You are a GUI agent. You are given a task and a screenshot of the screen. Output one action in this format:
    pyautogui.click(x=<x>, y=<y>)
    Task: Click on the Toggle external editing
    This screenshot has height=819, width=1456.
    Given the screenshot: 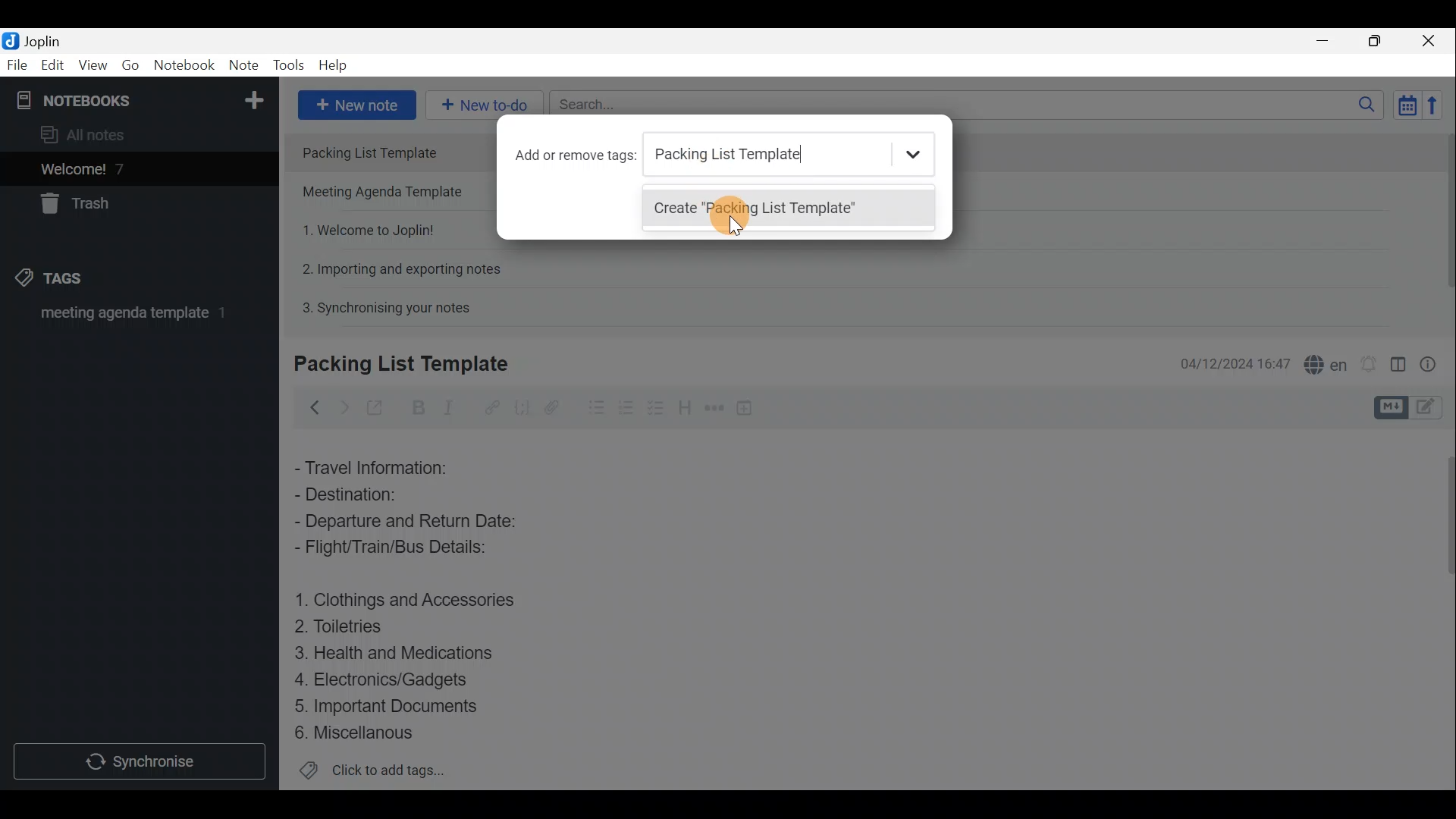 What is the action you would take?
    pyautogui.click(x=376, y=406)
    